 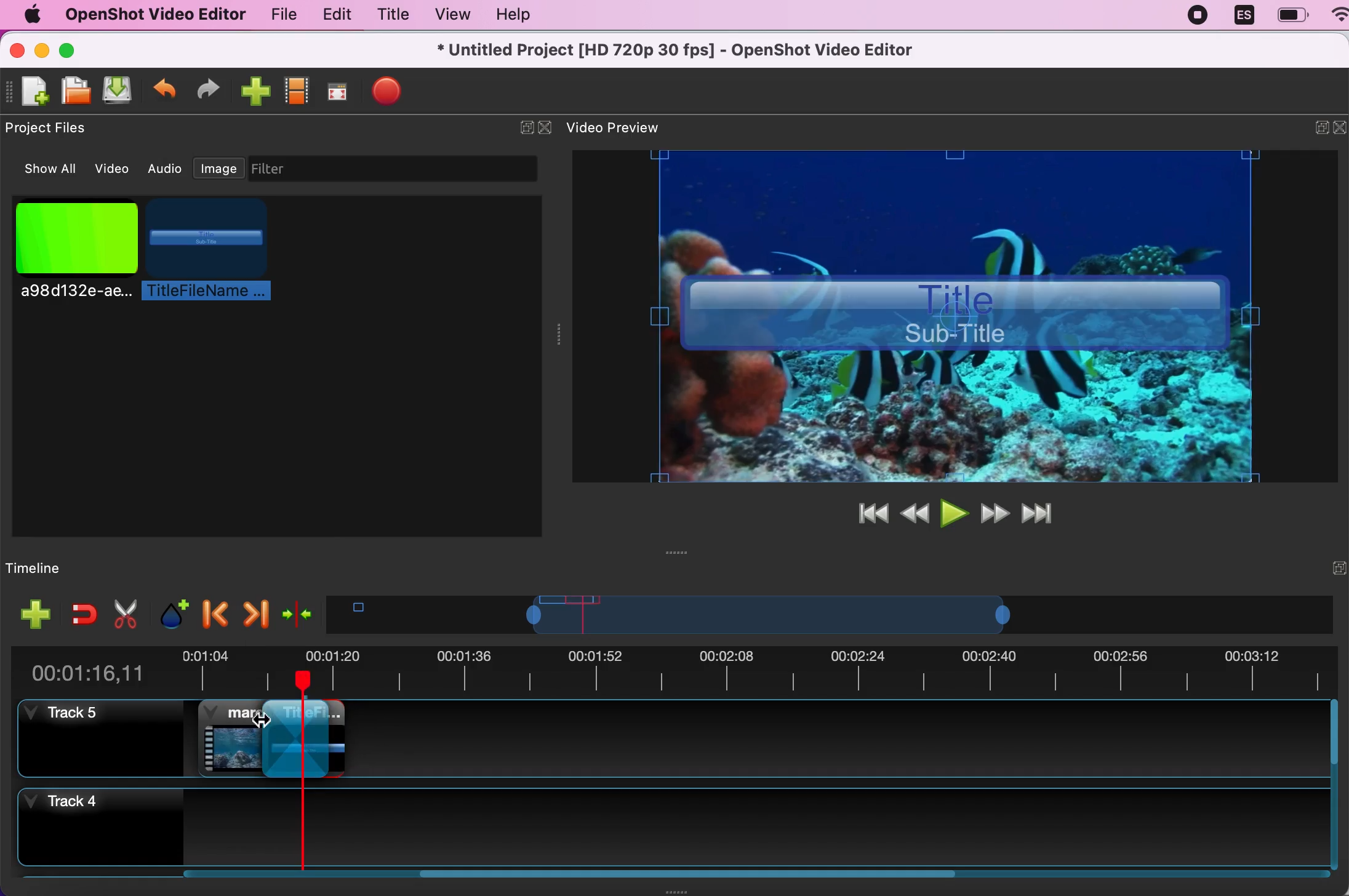 I want to click on play, so click(x=953, y=511).